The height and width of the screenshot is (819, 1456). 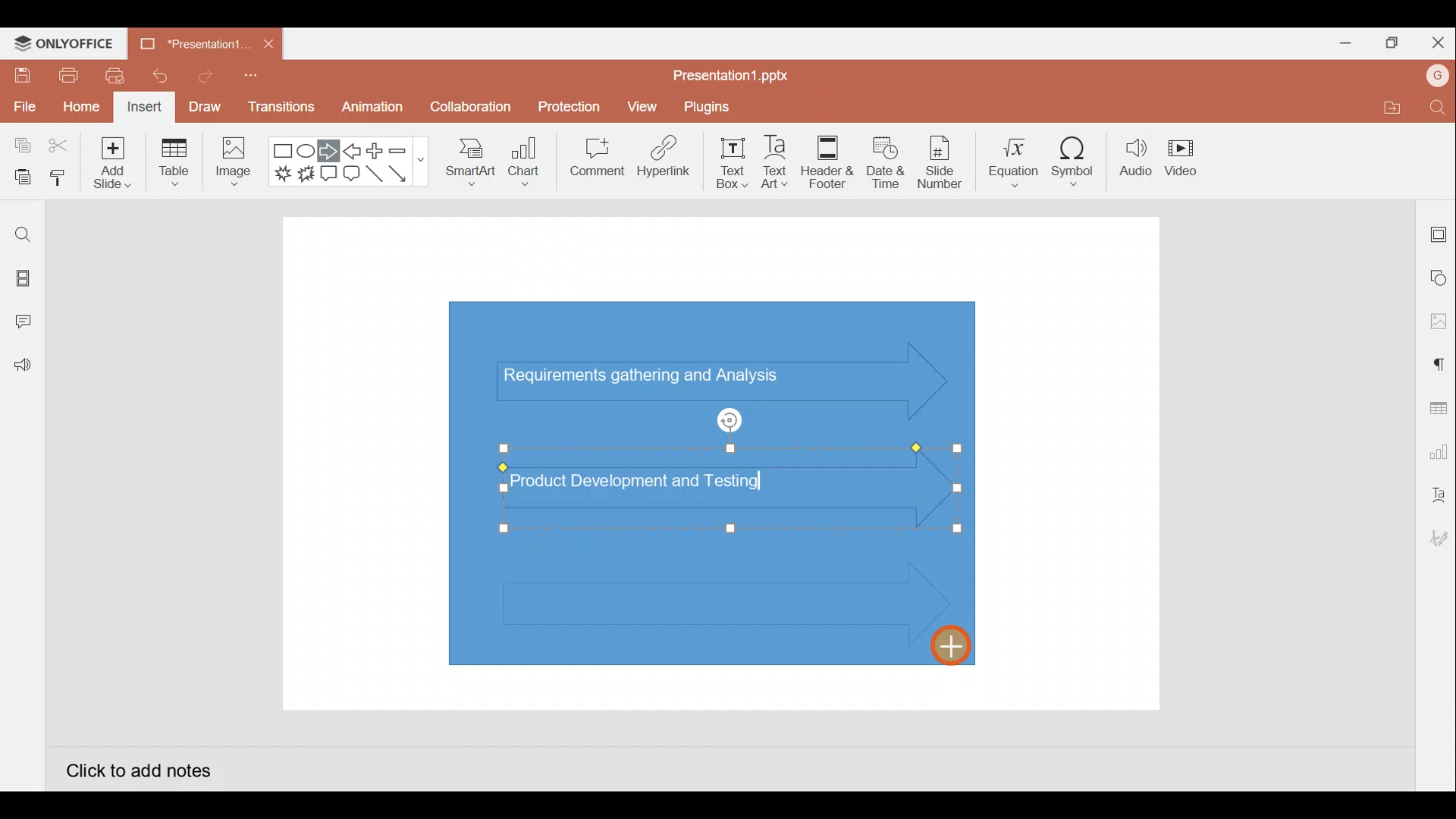 I want to click on Slide settings, so click(x=1439, y=231).